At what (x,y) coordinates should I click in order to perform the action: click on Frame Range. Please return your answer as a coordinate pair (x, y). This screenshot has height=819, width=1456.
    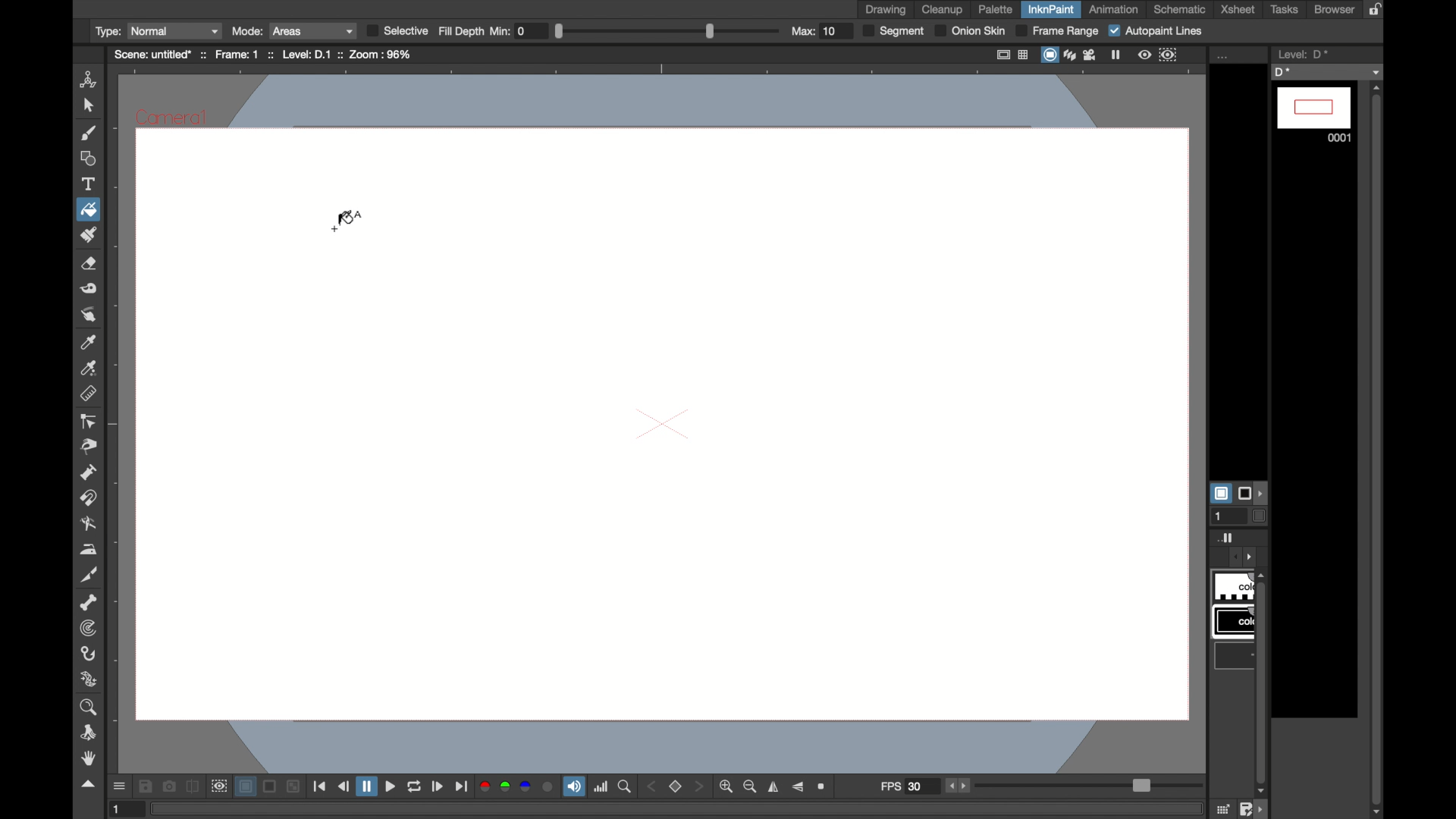
    Looking at the image, I should click on (1059, 32).